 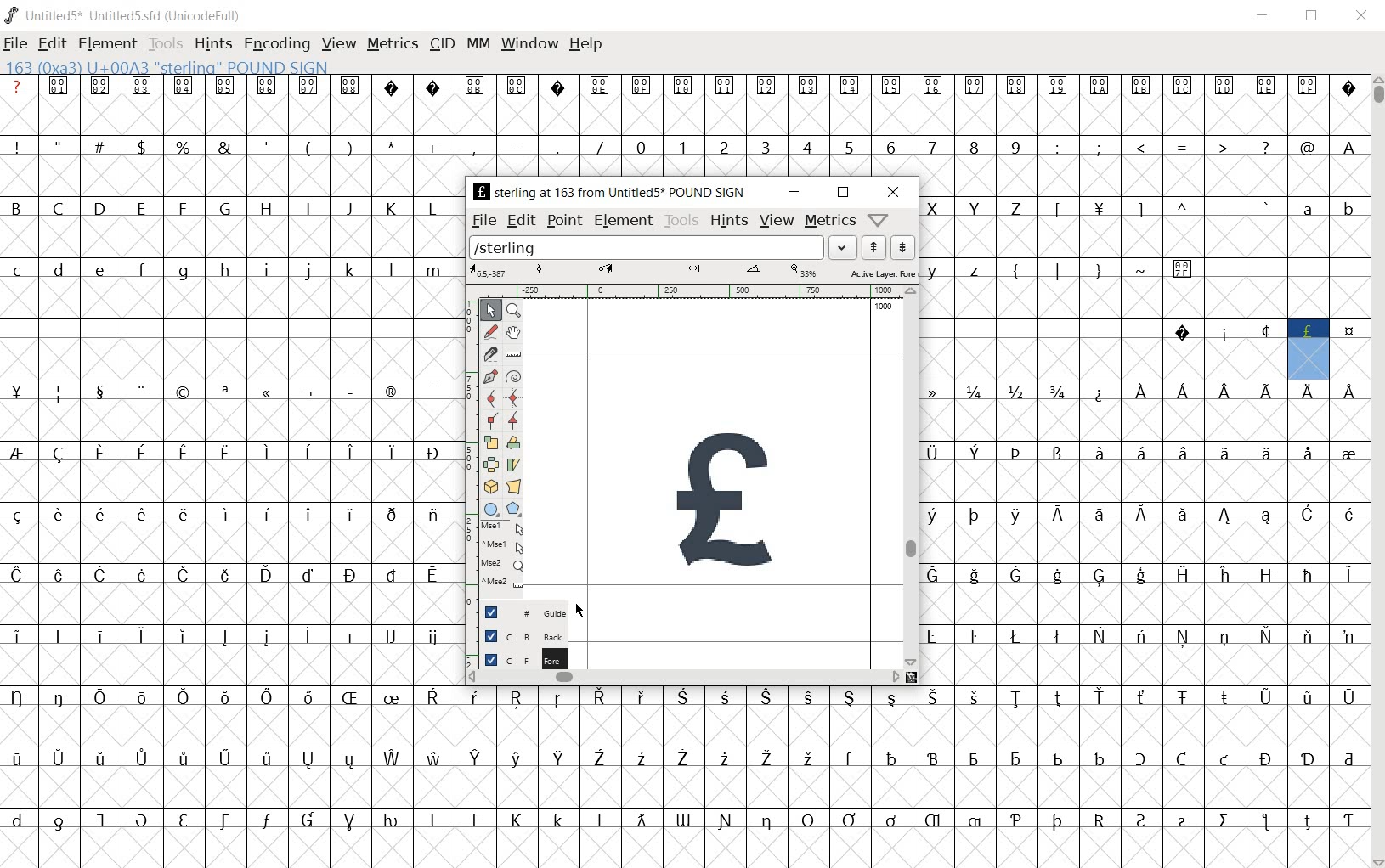 What do you see at coordinates (59, 272) in the screenshot?
I see `d` at bounding box center [59, 272].